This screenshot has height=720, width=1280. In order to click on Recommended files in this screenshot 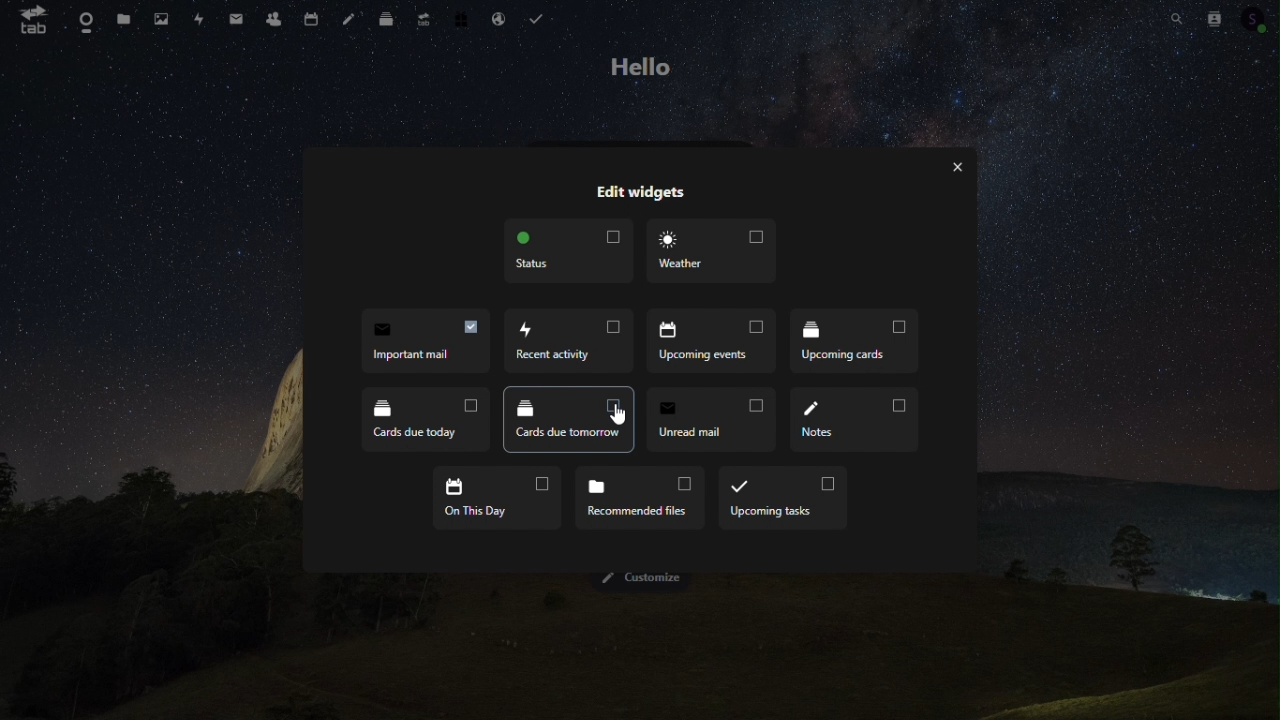, I will do `click(638, 496)`.